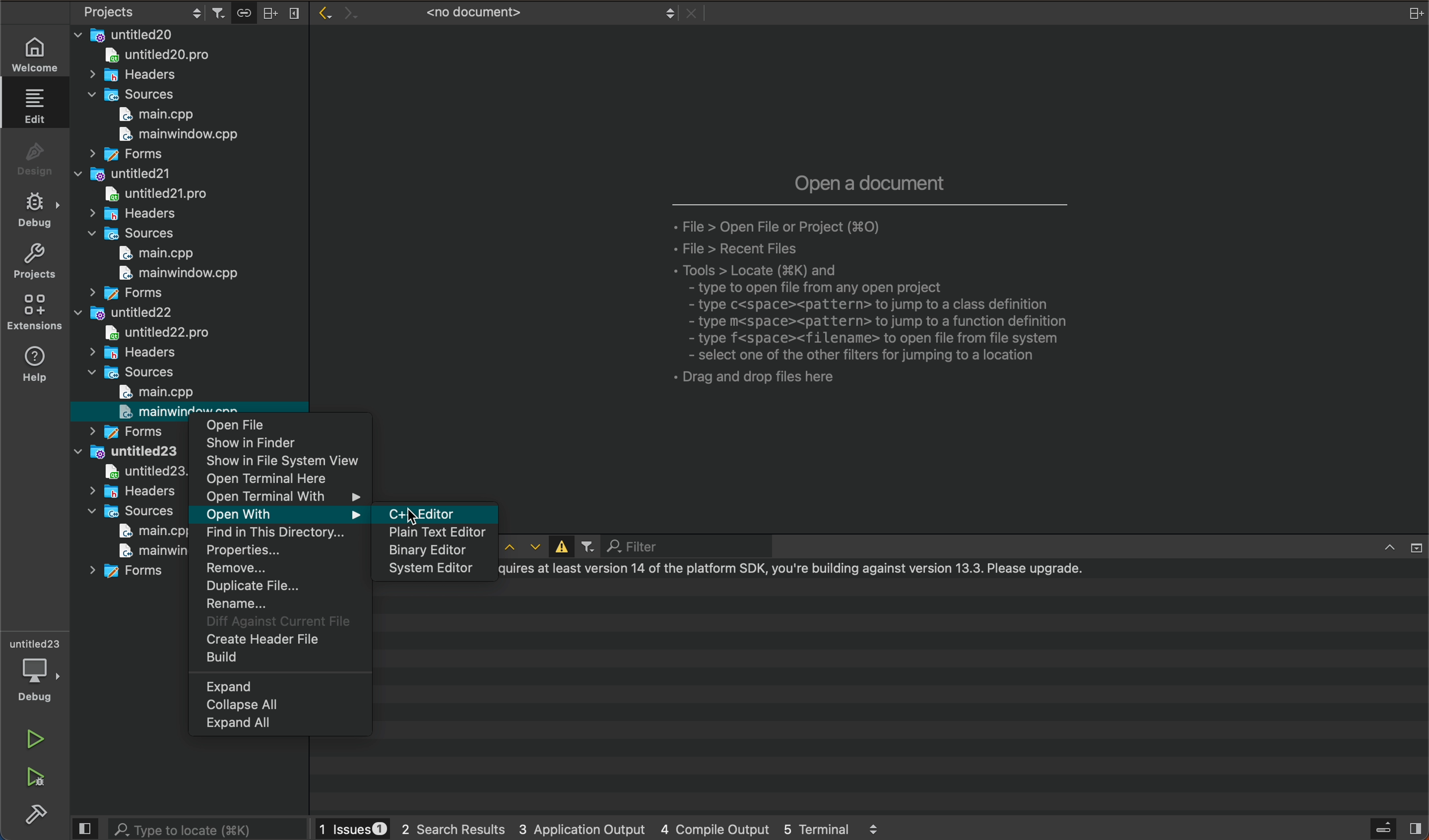  I want to click on forms, so click(124, 154).